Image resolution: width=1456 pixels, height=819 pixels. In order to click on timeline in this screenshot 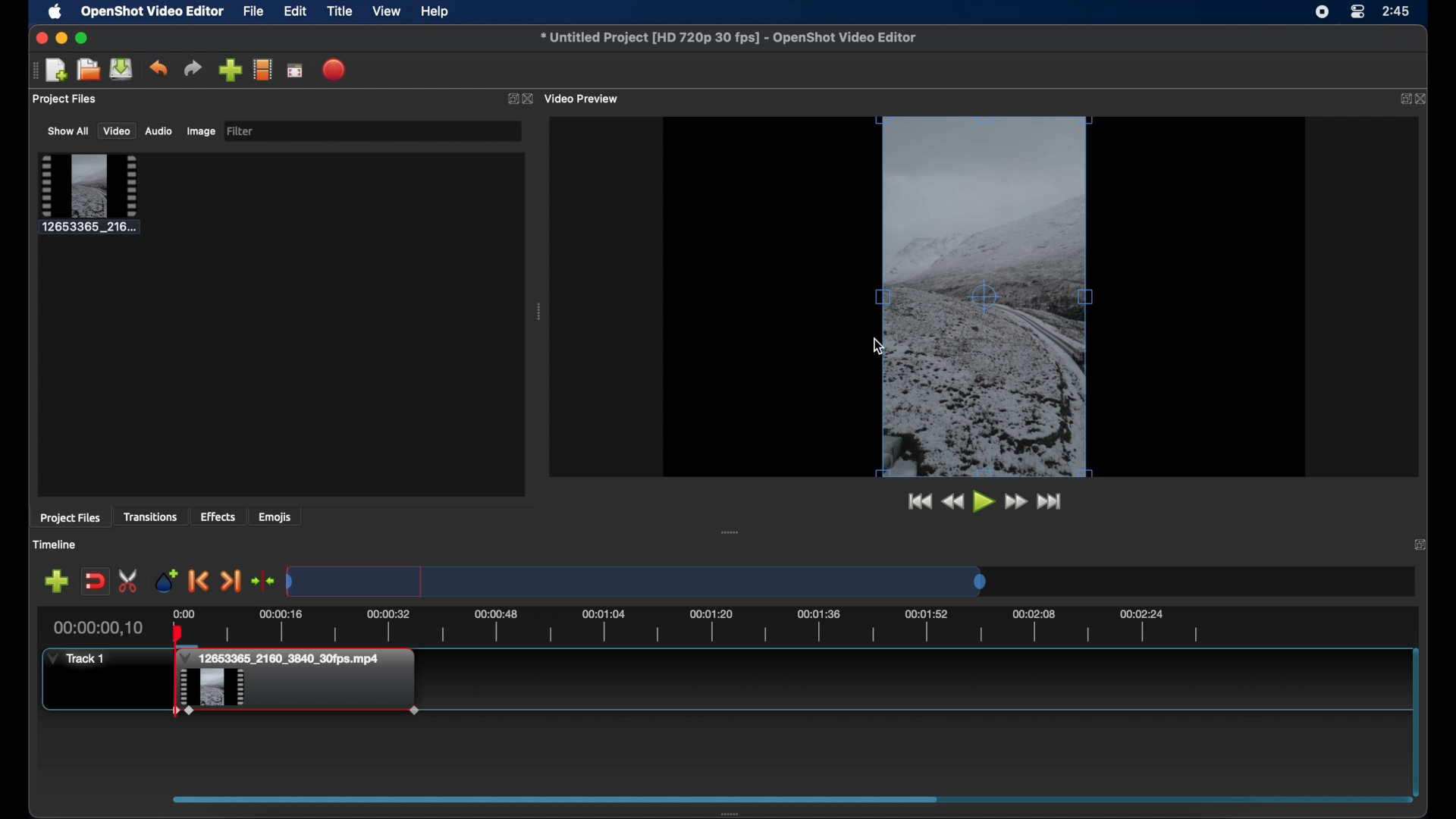, I will do `click(689, 626)`.